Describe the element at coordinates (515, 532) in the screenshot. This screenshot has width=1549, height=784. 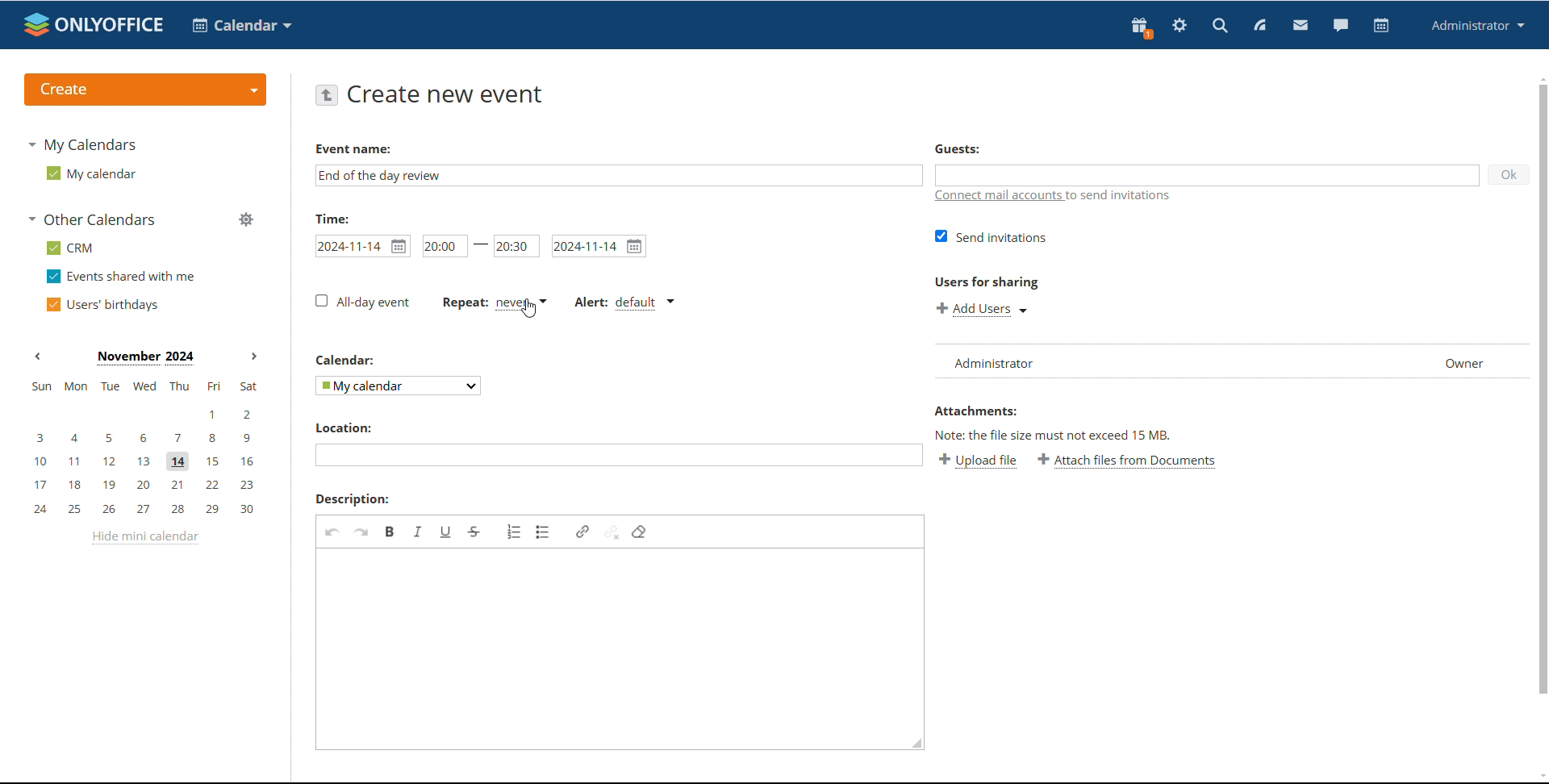
I see `insert/remove numbered list` at that location.